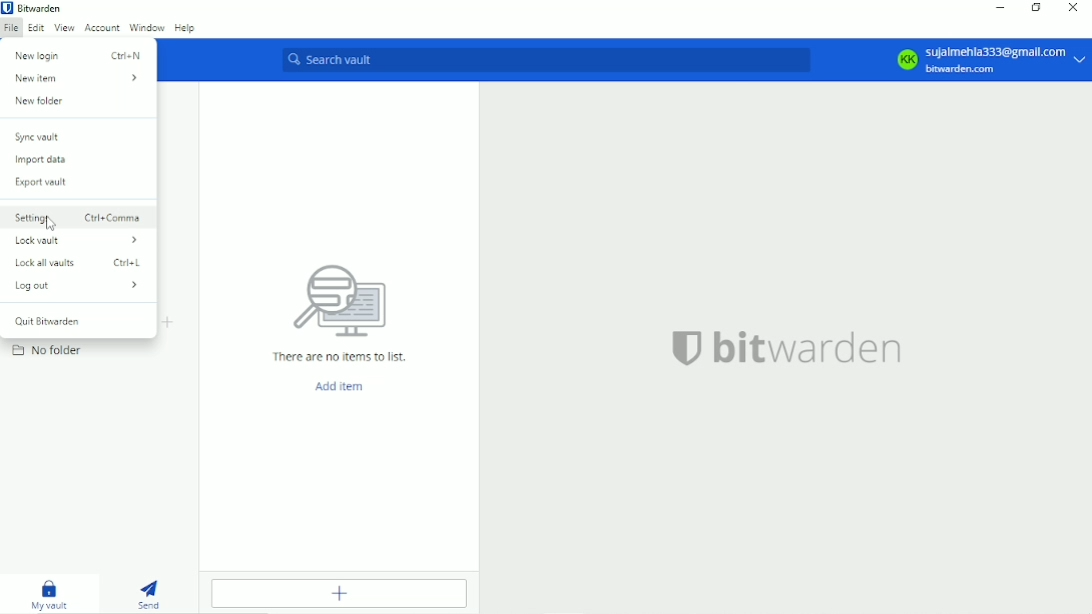 The height and width of the screenshot is (614, 1092). I want to click on Resize, so click(1037, 8).